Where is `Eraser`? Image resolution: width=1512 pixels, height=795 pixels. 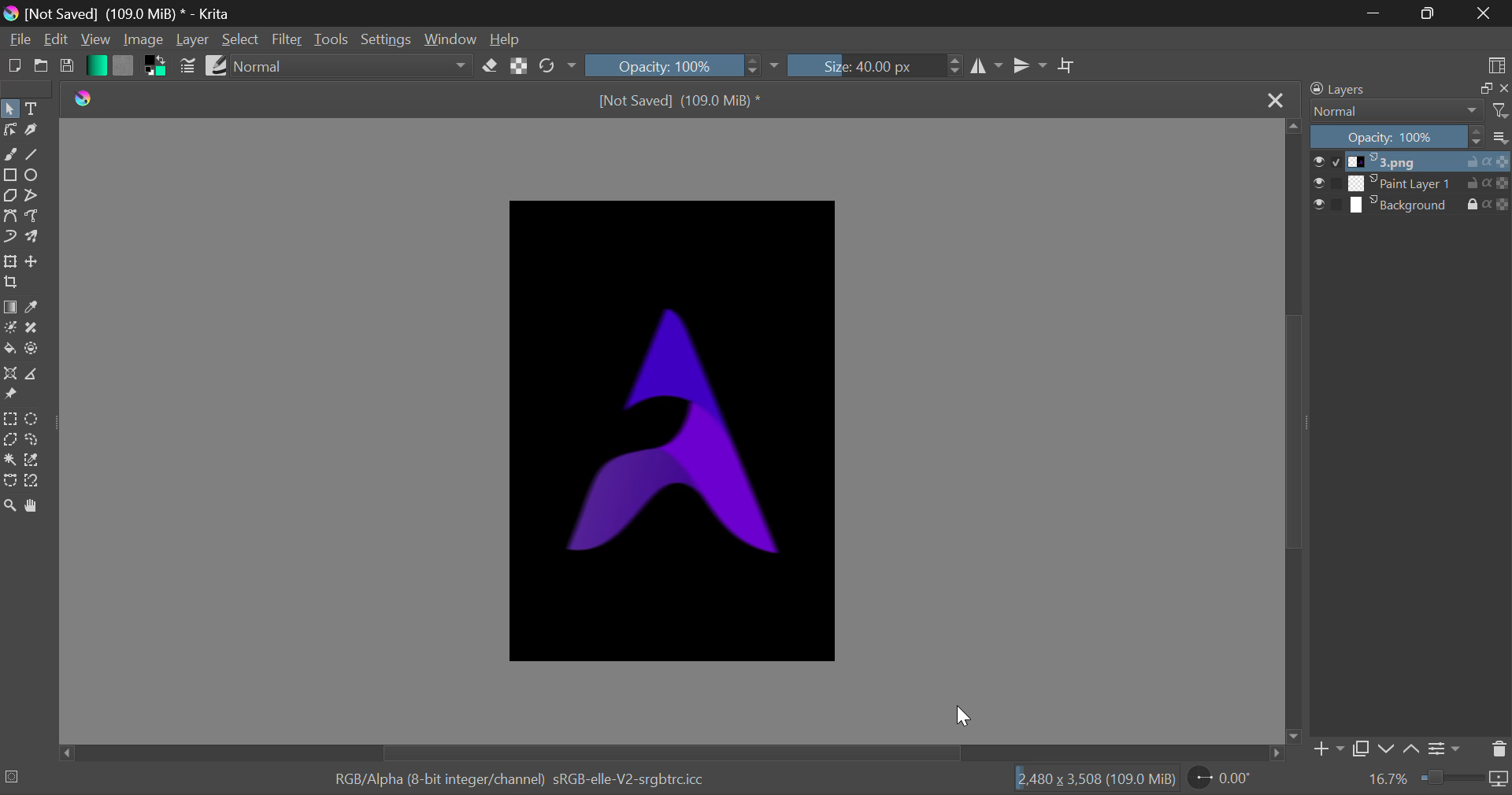 Eraser is located at coordinates (491, 65).